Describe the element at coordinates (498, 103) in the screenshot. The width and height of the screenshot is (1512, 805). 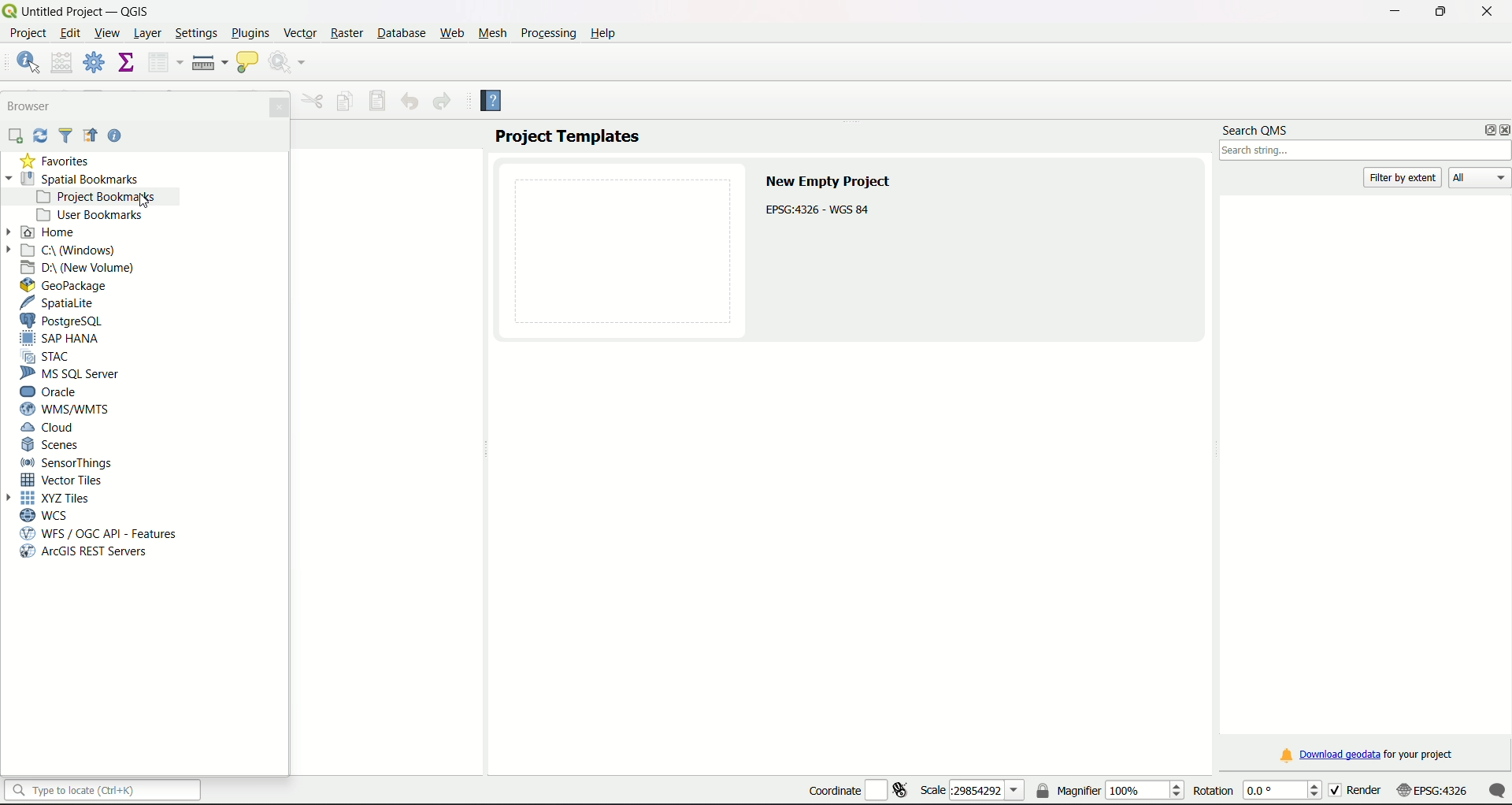
I see `Help` at that location.